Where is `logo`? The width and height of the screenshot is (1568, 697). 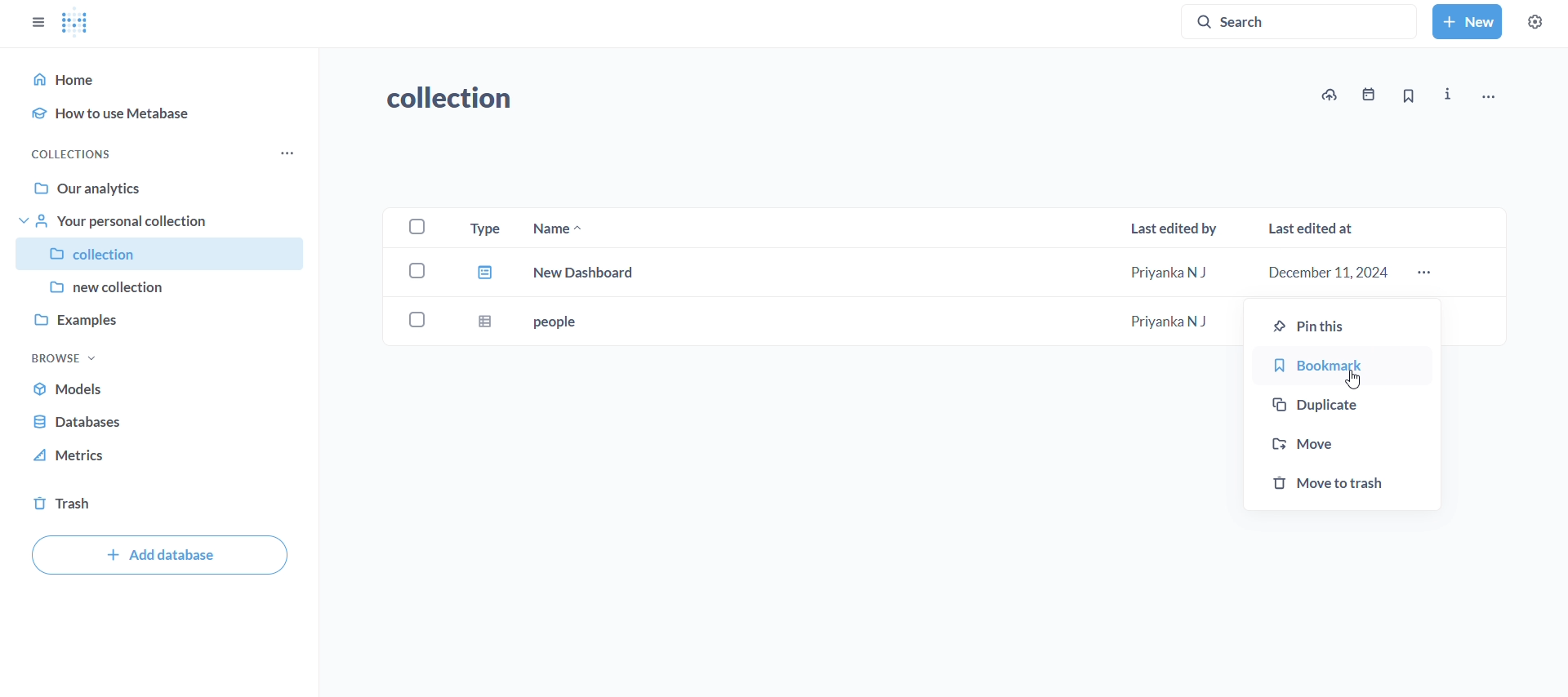 logo is located at coordinates (76, 24).